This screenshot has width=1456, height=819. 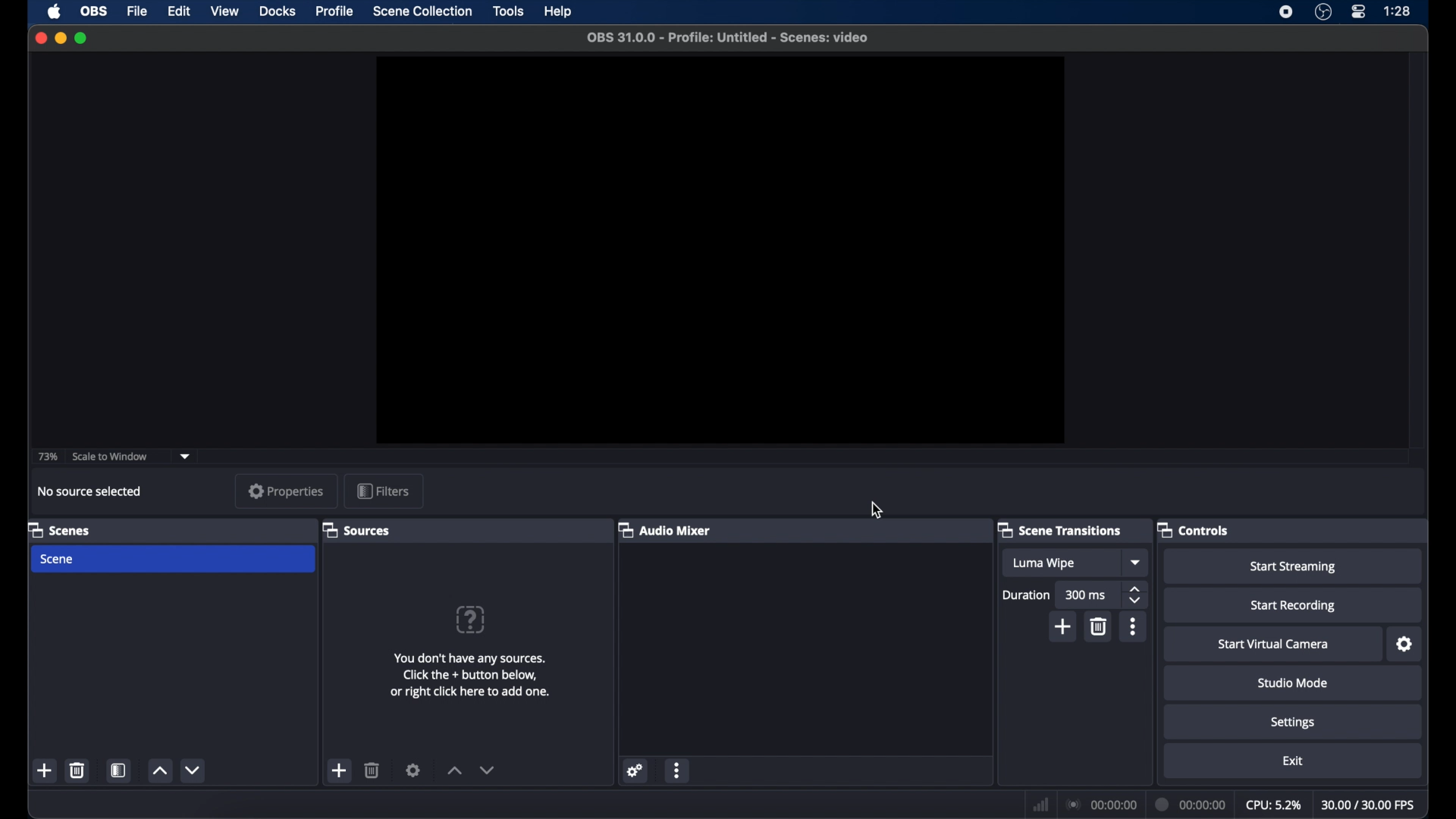 I want to click on filters, so click(x=383, y=491).